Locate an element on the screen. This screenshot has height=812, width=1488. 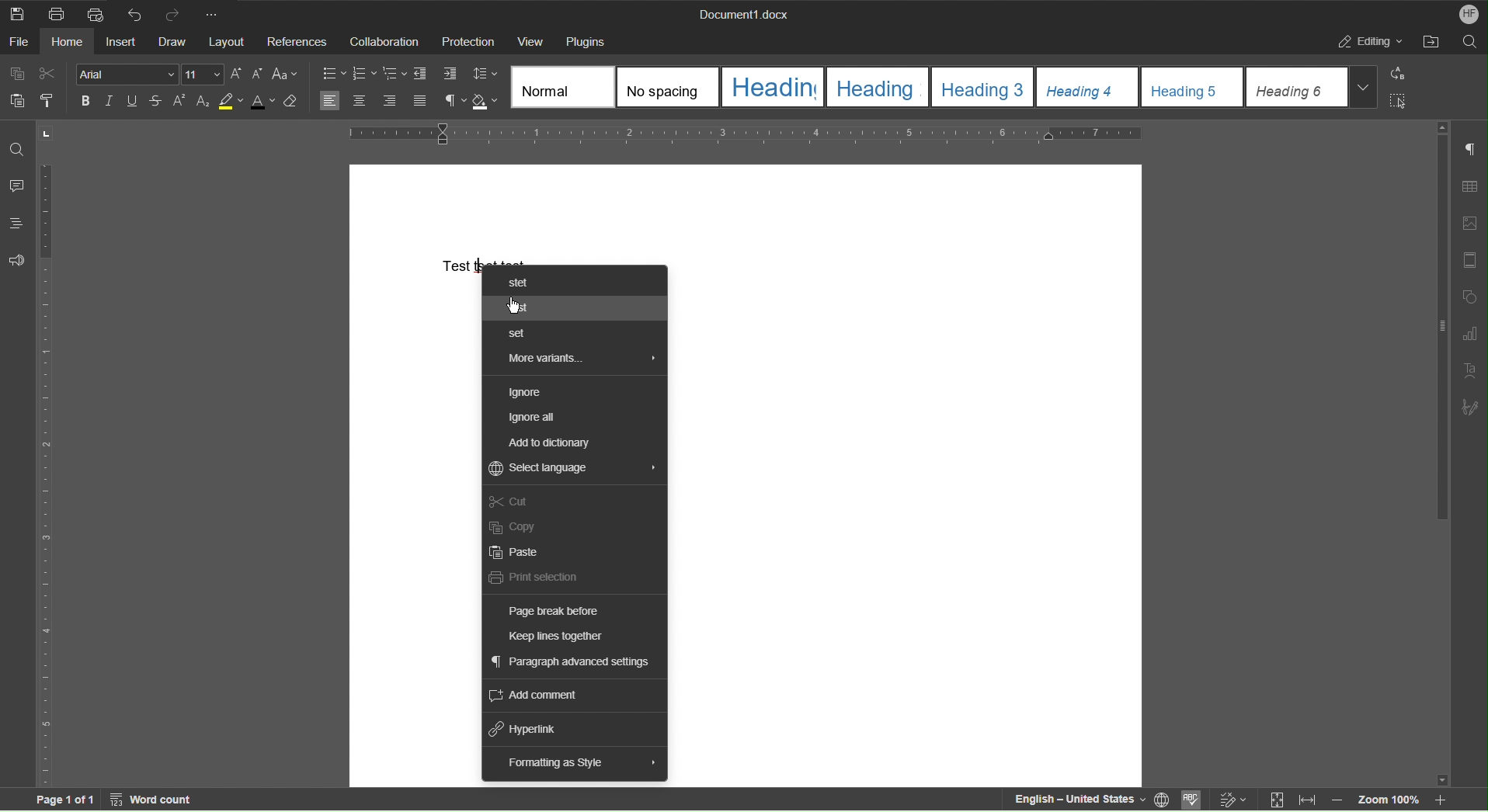
English - United States is located at coordinates (1078, 800).